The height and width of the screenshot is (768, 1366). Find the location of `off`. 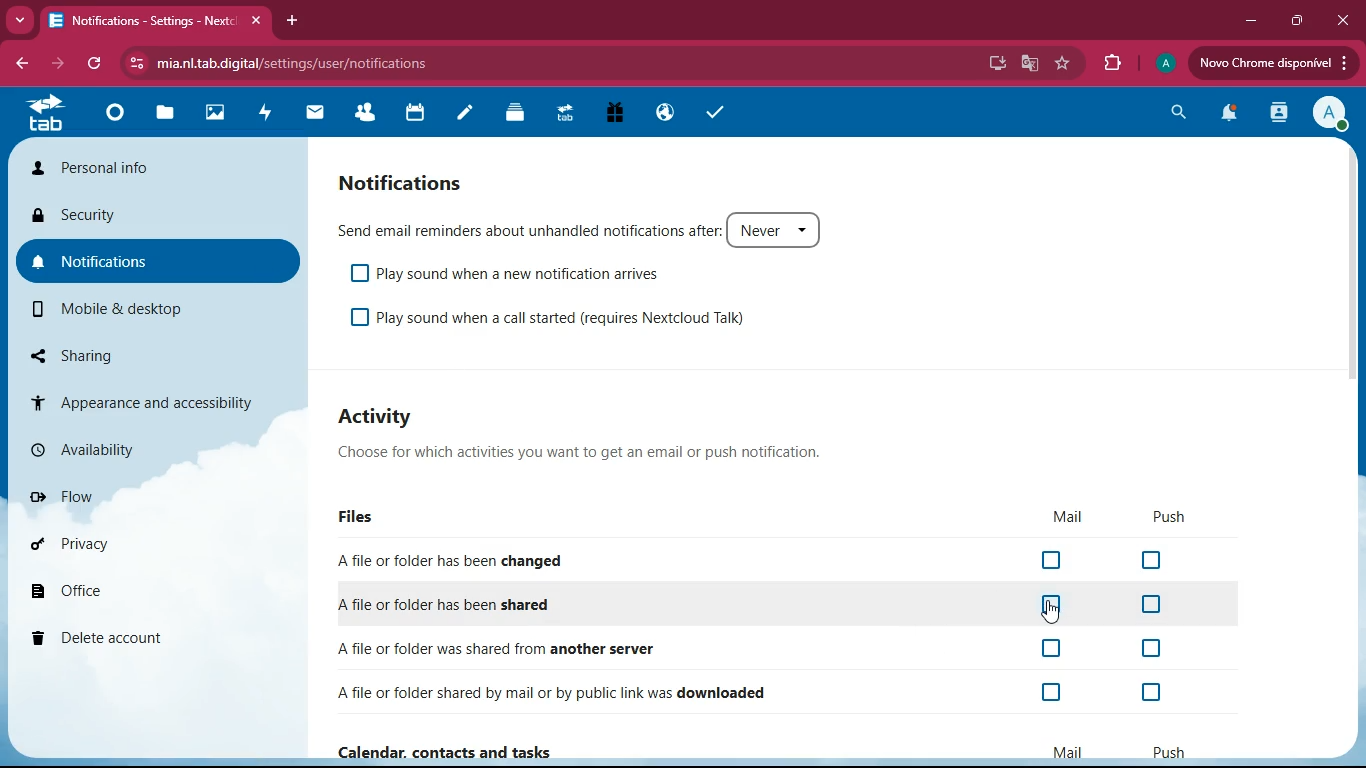

off is located at coordinates (1154, 560).